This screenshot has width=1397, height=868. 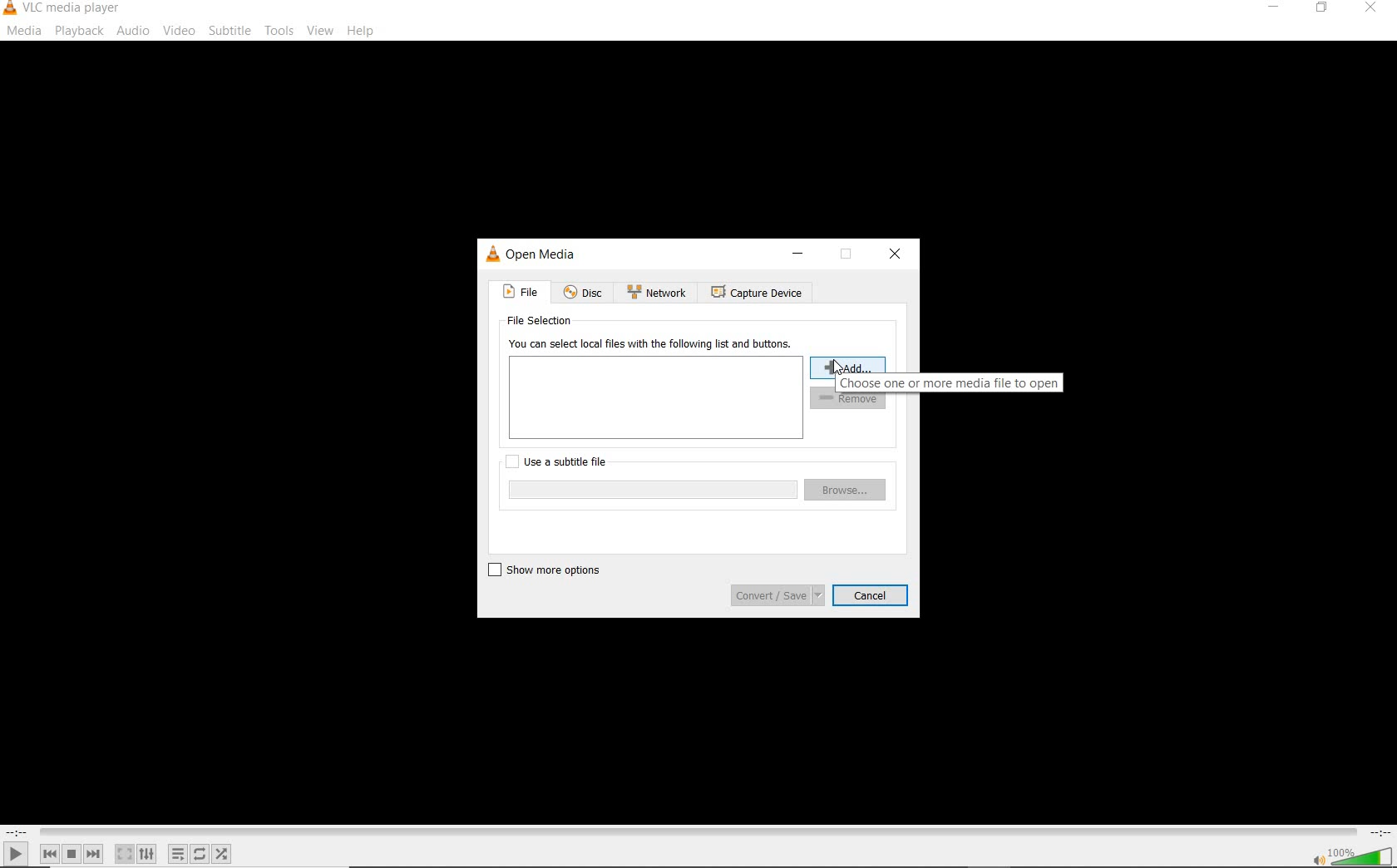 I want to click on show more options, so click(x=550, y=570).